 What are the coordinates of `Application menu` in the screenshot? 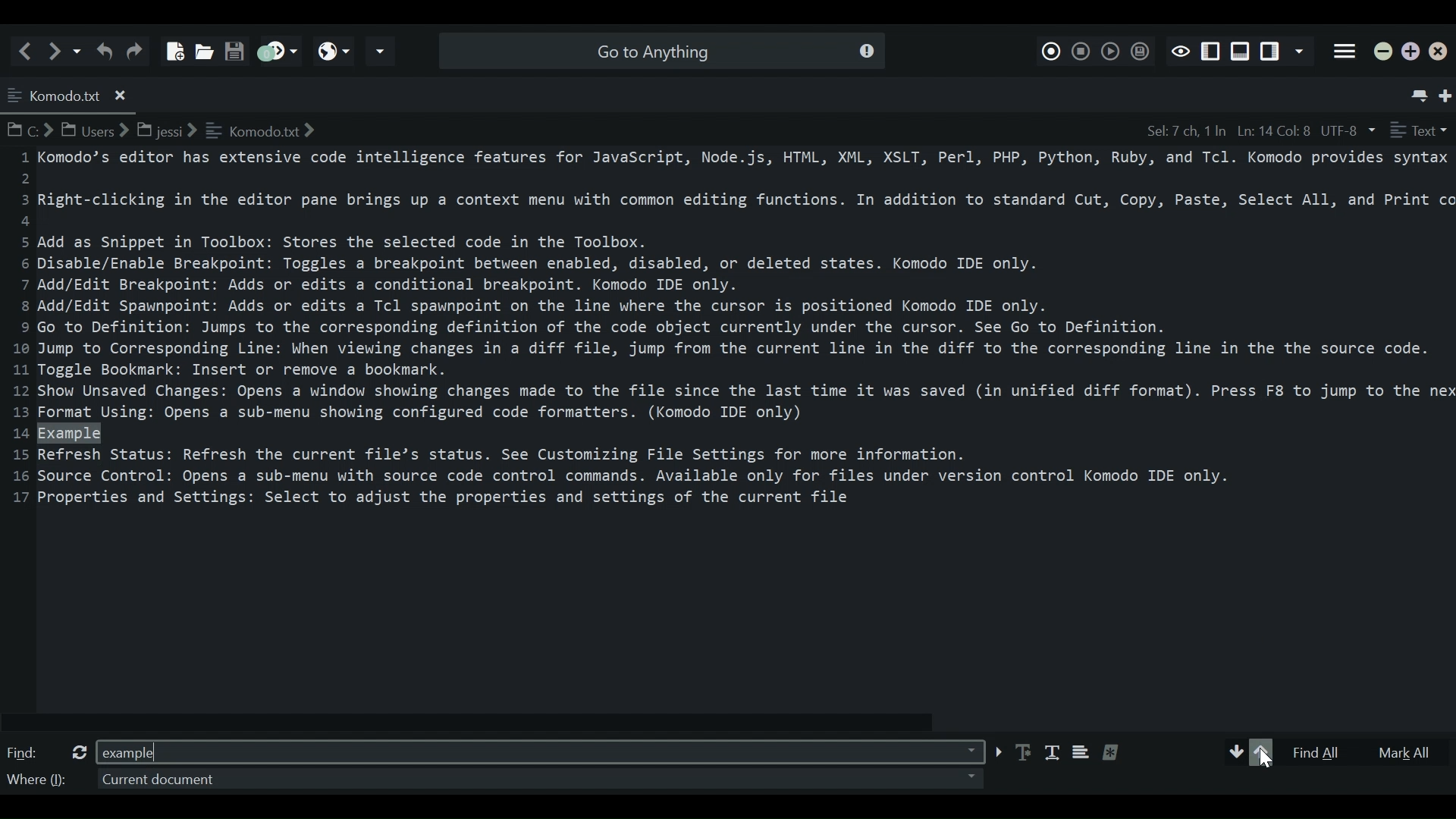 It's located at (1345, 52).